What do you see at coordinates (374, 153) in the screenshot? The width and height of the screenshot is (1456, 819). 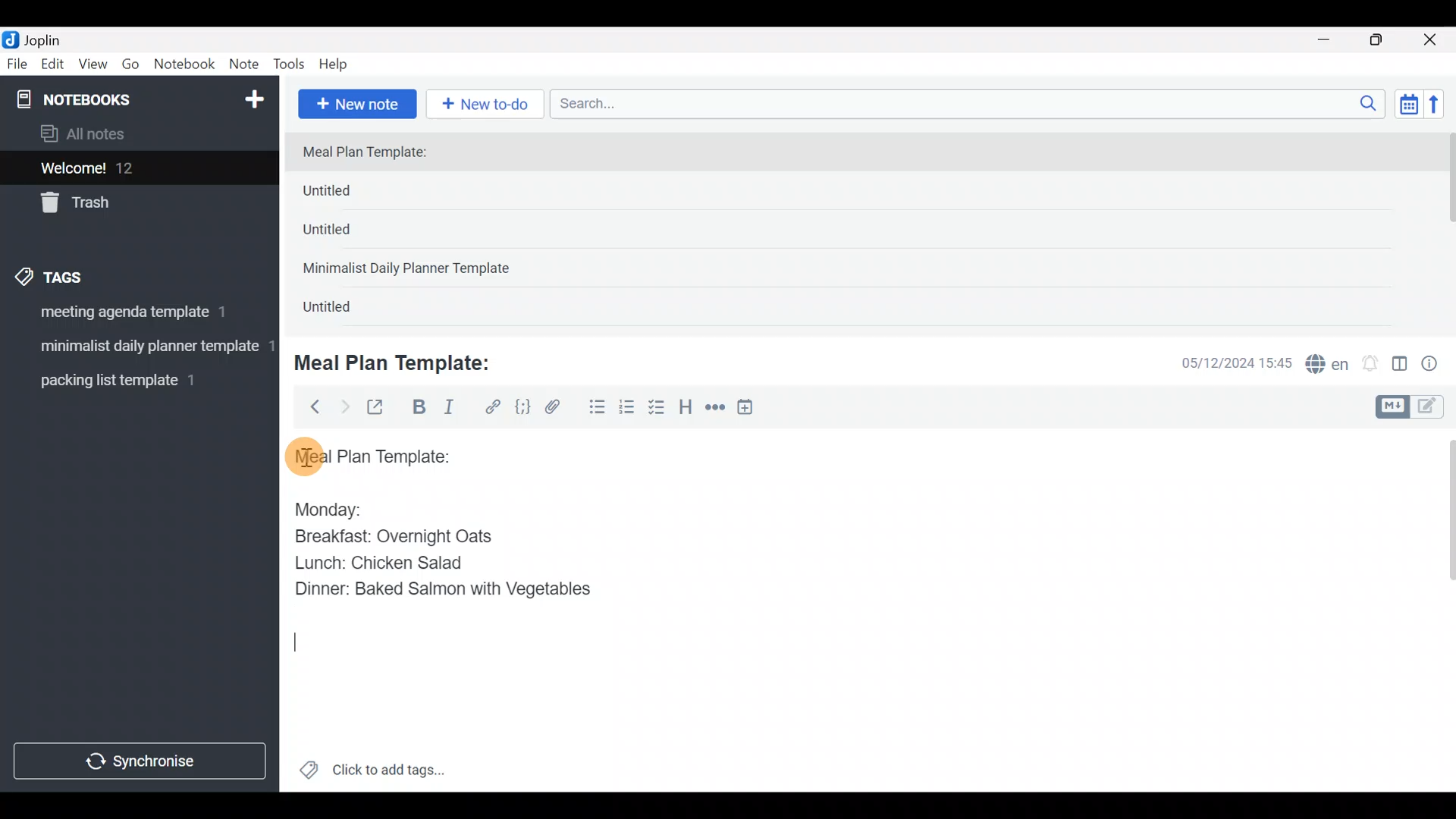 I see `Meal Plan Template:` at bounding box center [374, 153].